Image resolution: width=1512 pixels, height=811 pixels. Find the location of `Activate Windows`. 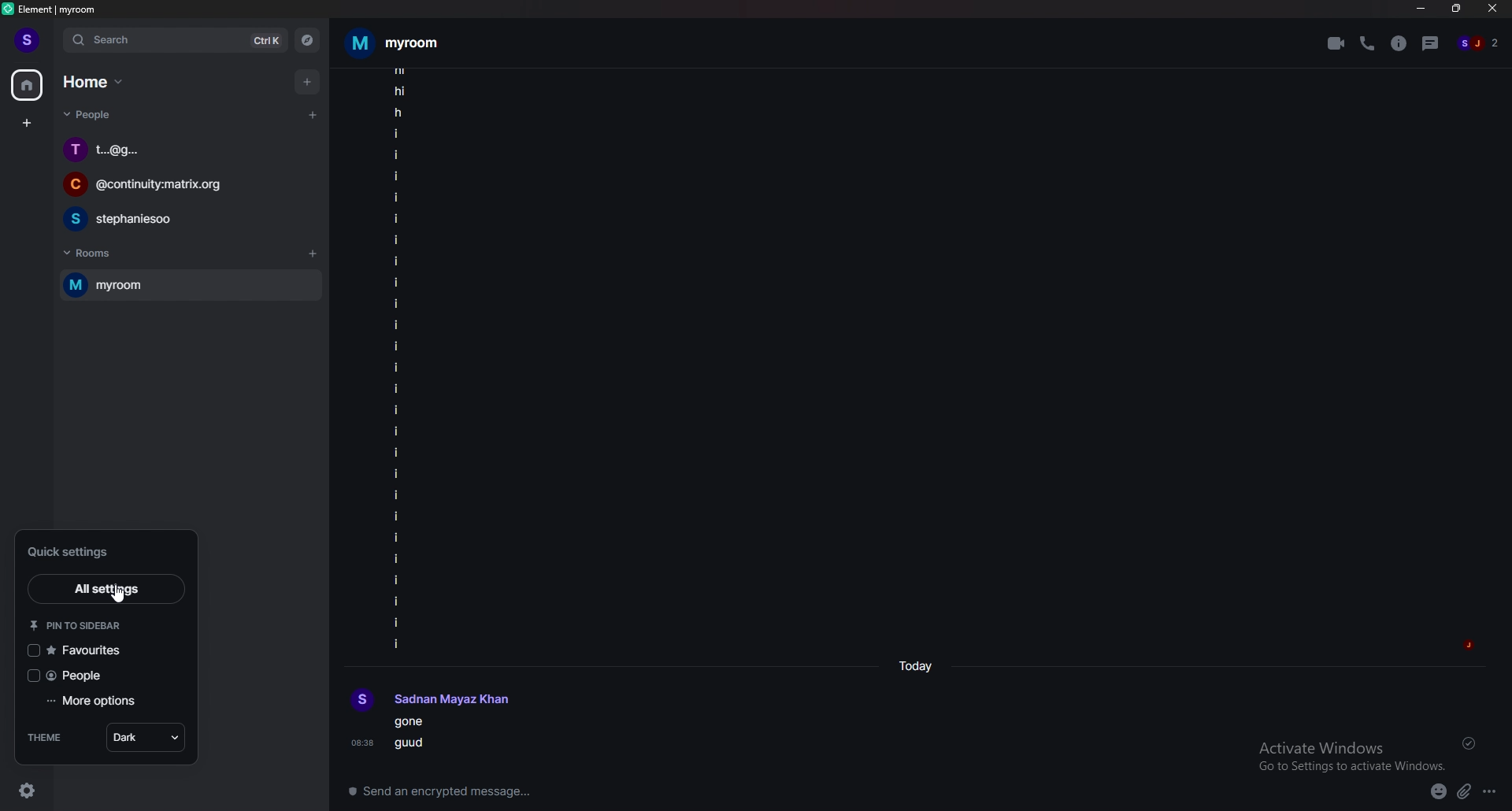

Activate Windows is located at coordinates (1346, 754).